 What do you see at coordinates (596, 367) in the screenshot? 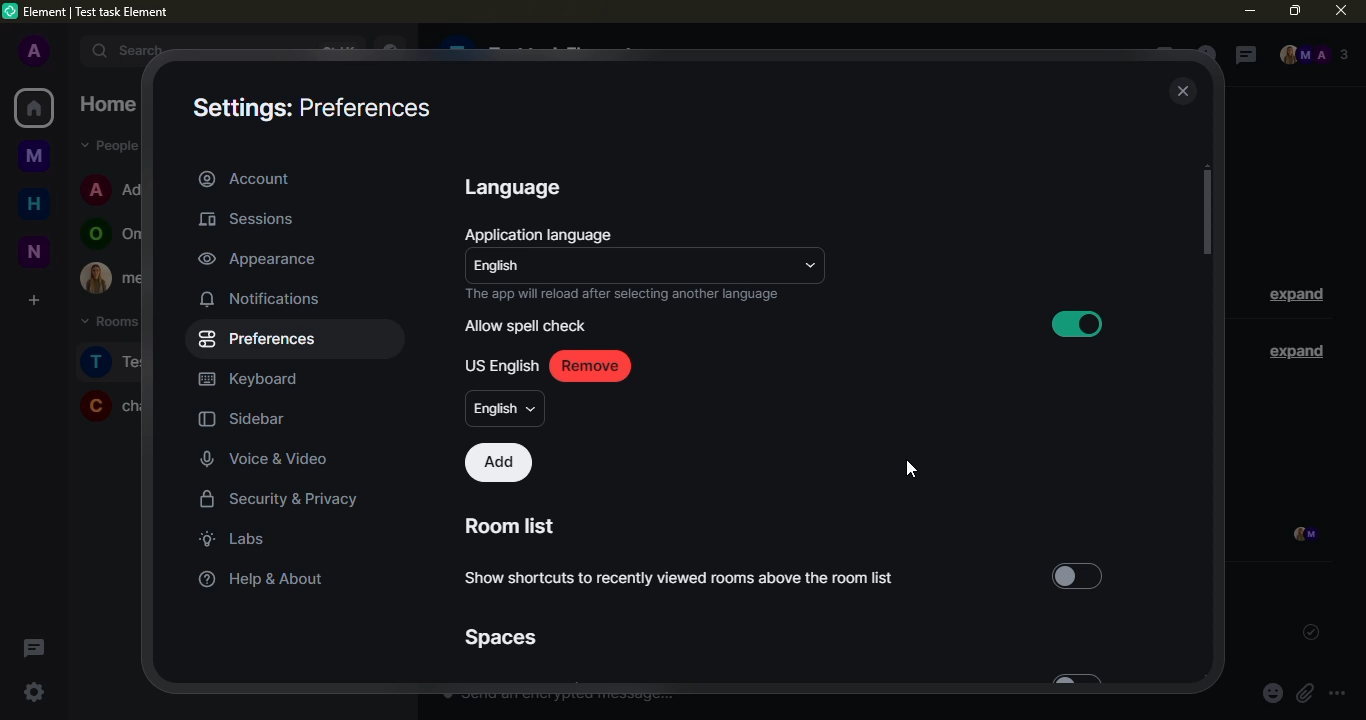
I see `remove` at bounding box center [596, 367].